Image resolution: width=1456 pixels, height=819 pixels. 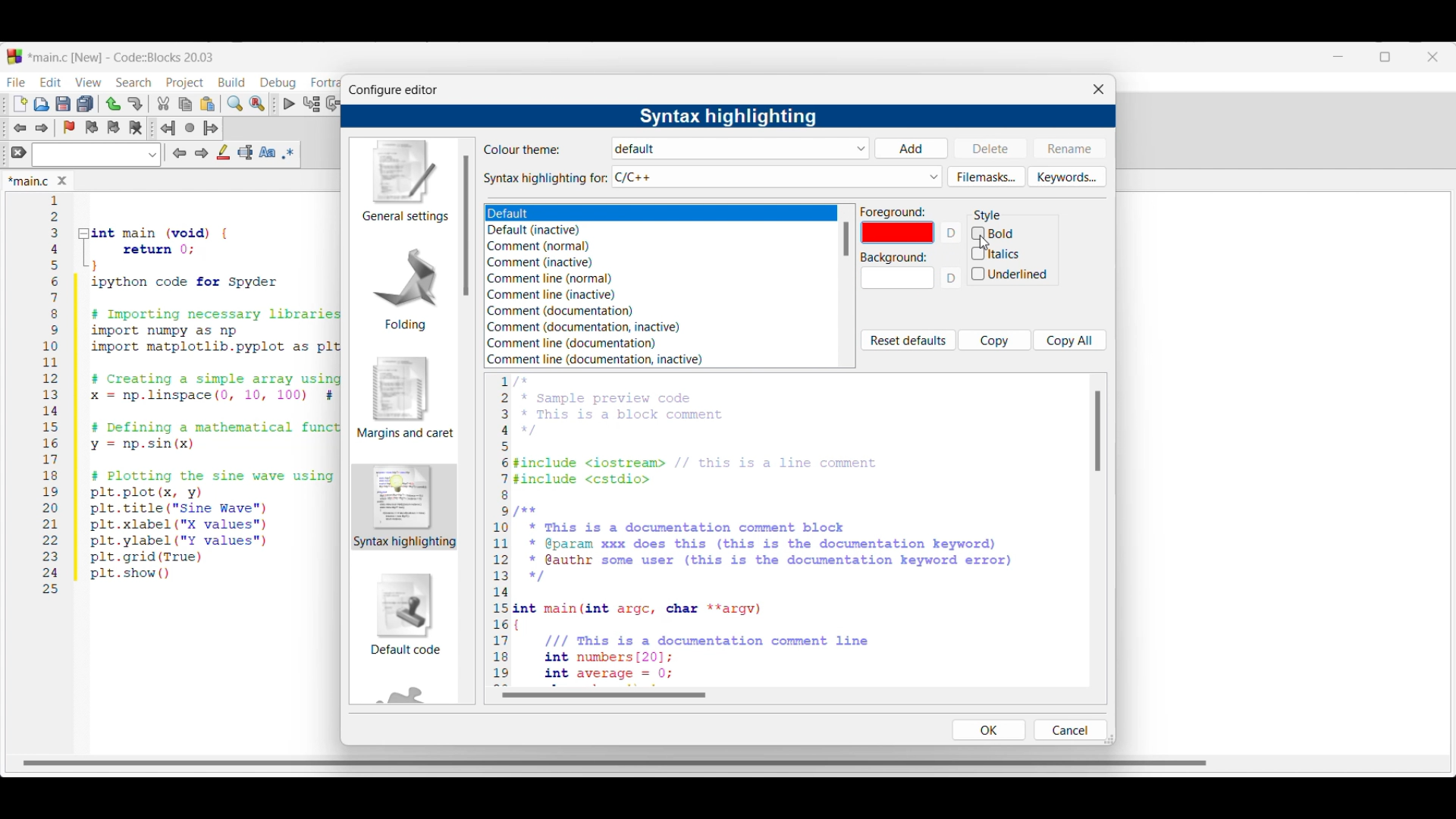 What do you see at coordinates (544, 247) in the screenshot?
I see `Comment (normal)` at bounding box center [544, 247].